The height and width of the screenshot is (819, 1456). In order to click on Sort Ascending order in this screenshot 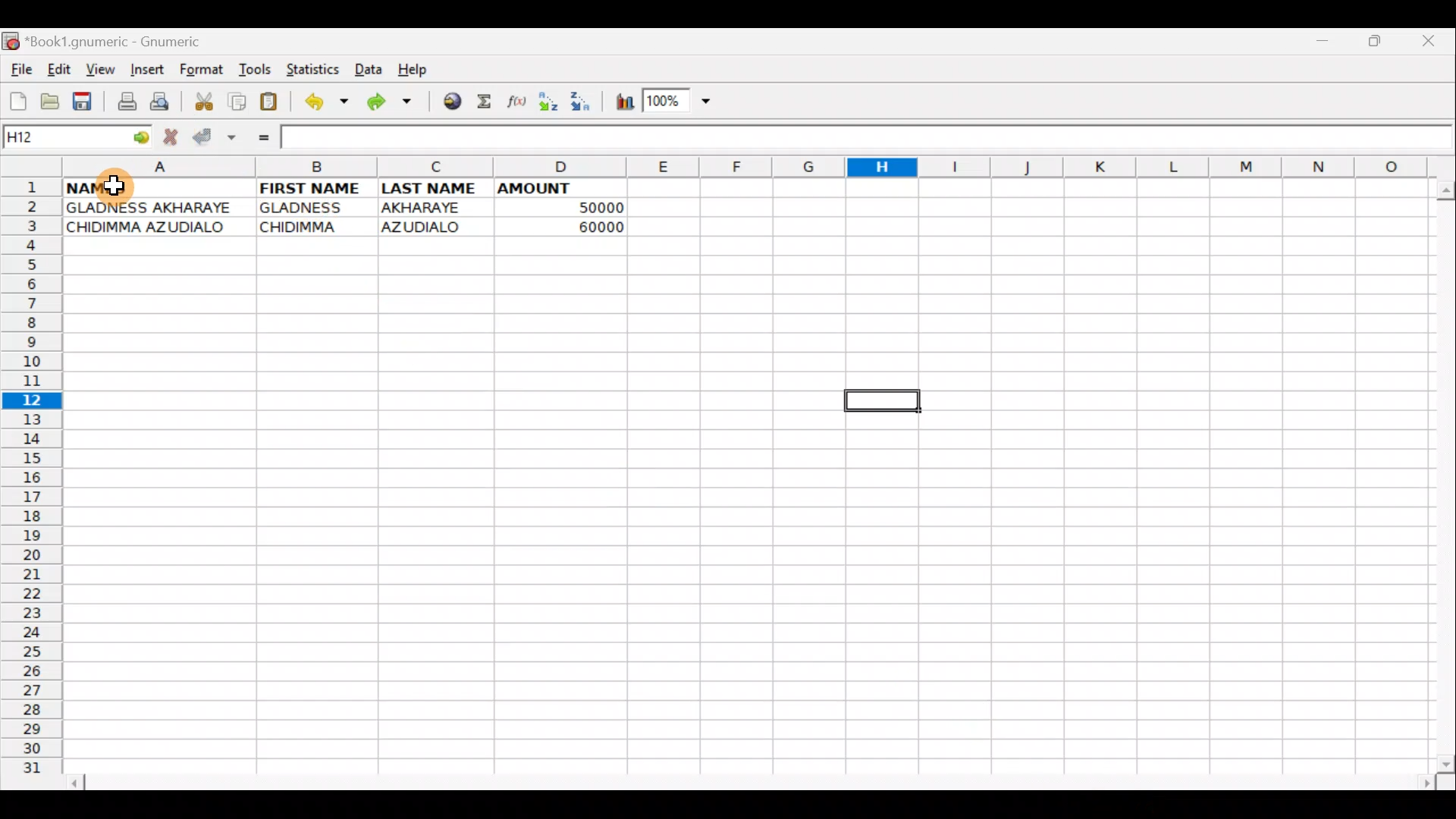, I will do `click(547, 102)`.